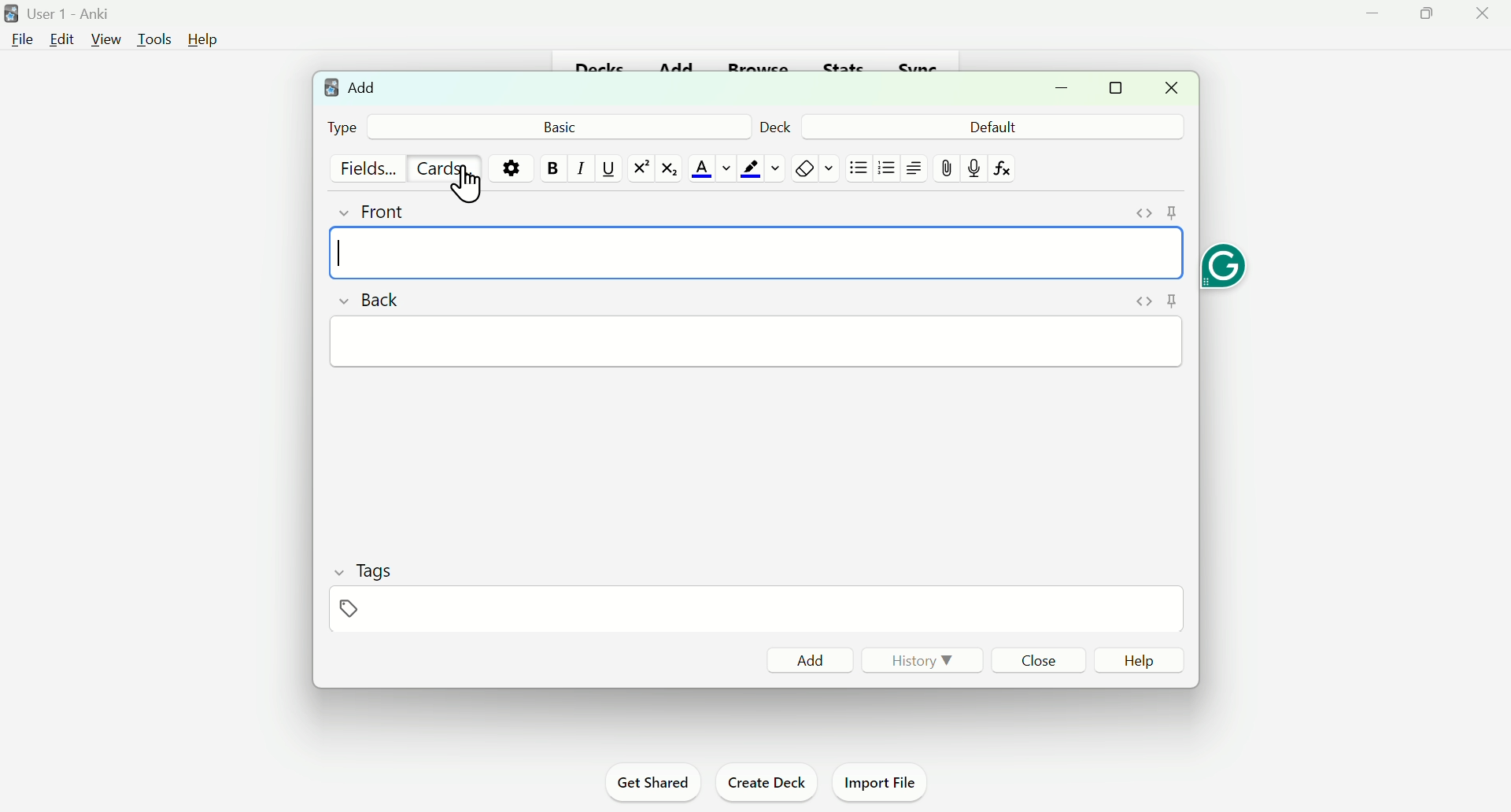 Image resolution: width=1511 pixels, height=812 pixels. Describe the element at coordinates (1137, 662) in the screenshot. I see `` at that location.